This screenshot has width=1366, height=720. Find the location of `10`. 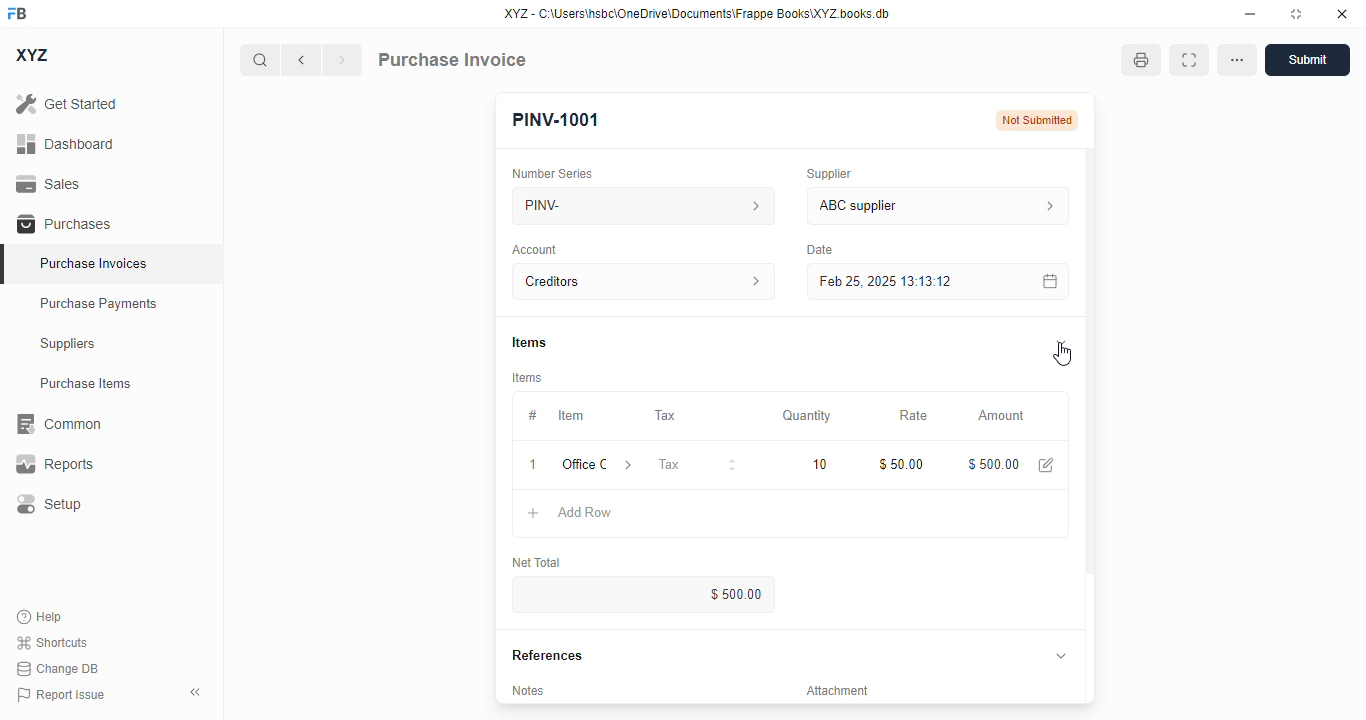

10 is located at coordinates (818, 463).